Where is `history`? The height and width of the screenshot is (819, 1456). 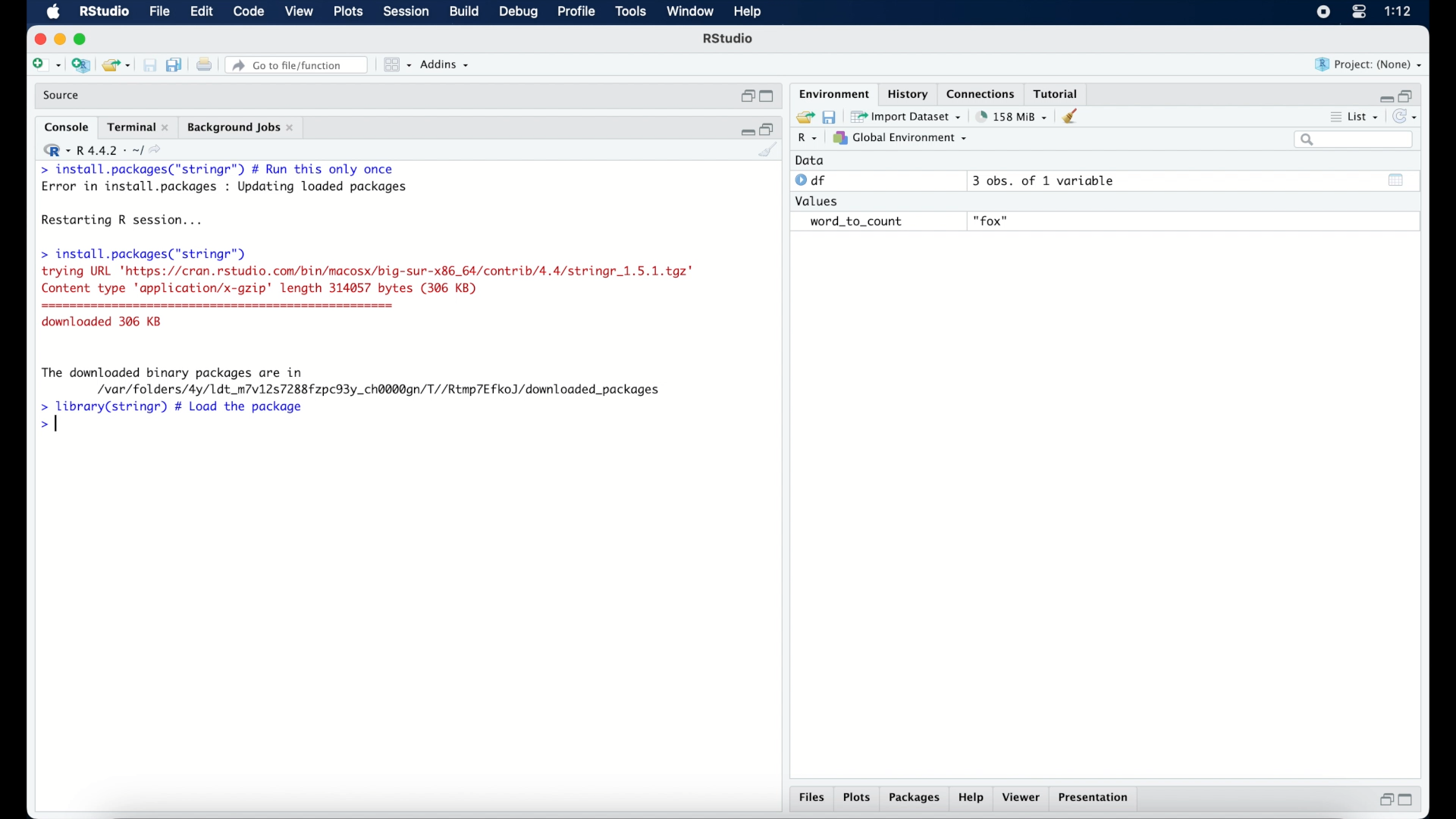 history is located at coordinates (906, 94).